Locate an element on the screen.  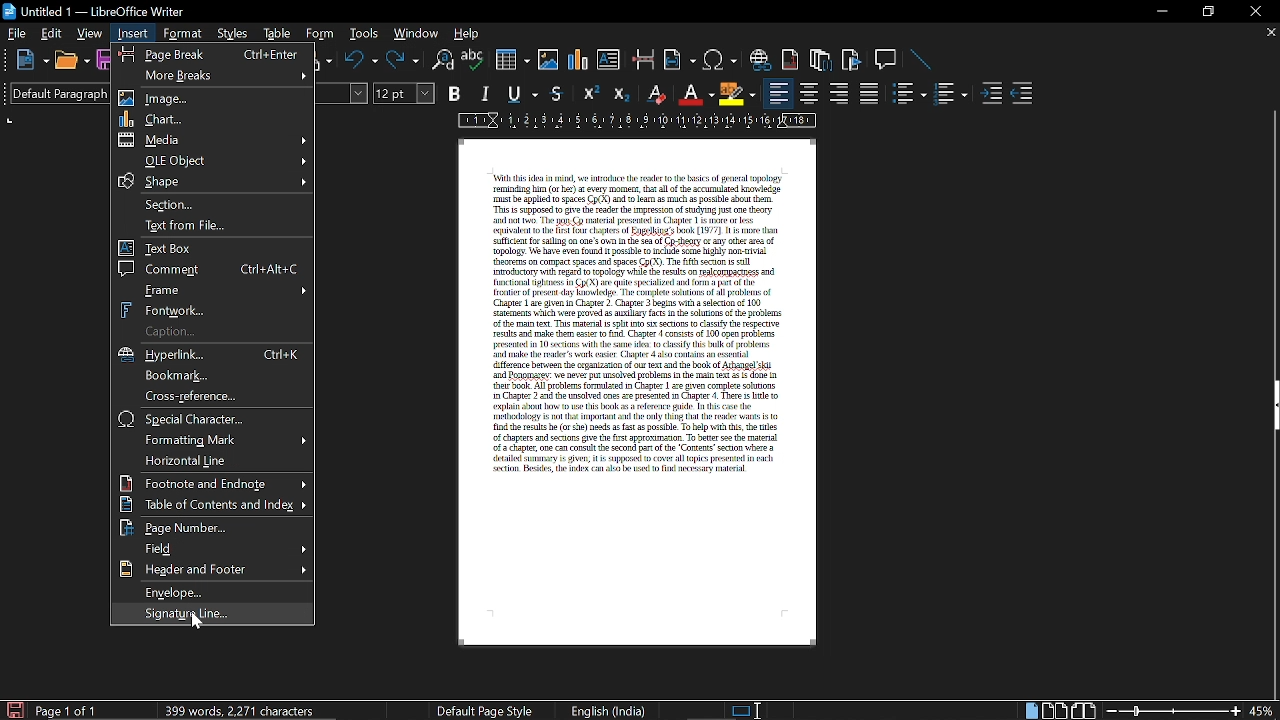
envelope is located at coordinates (214, 569).